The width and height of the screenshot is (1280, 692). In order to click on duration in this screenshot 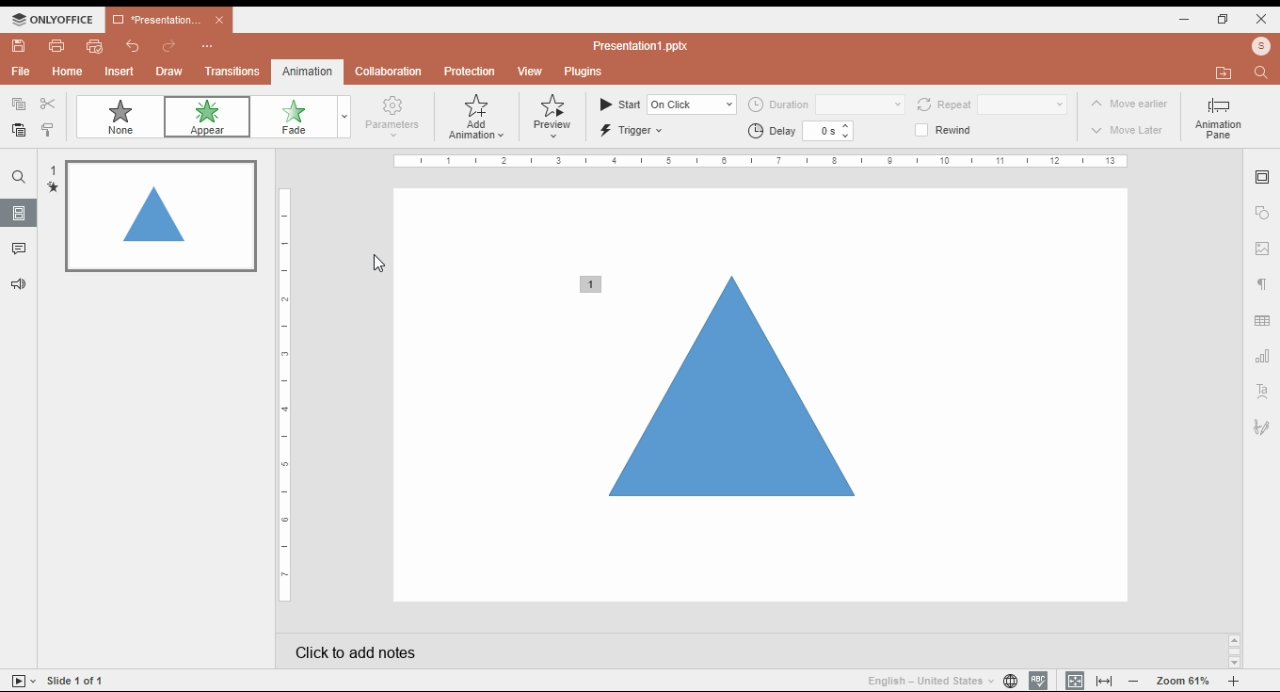, I will do `click(778, 104)`.